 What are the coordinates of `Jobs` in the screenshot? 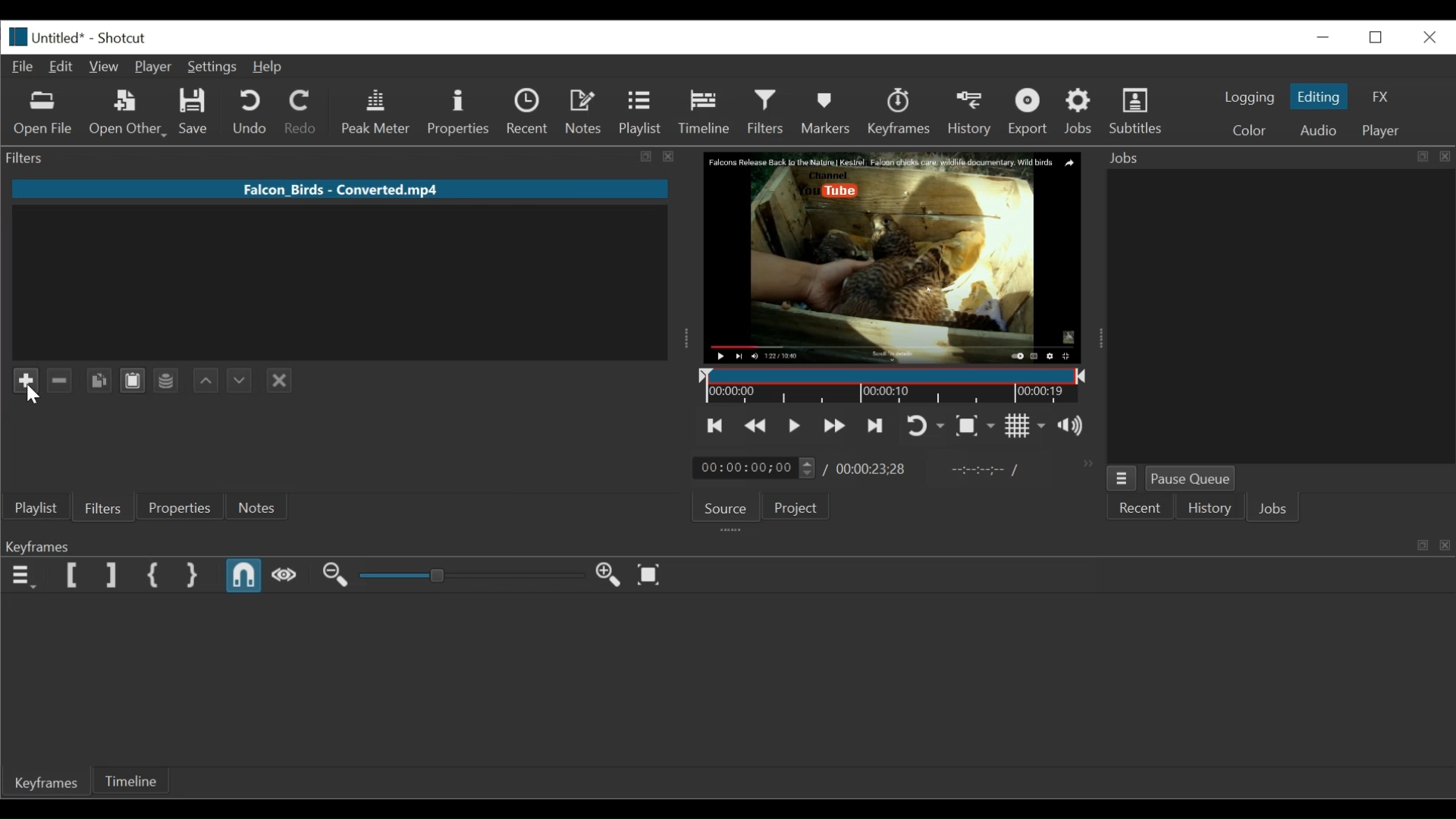 It's located at (1275, 510).